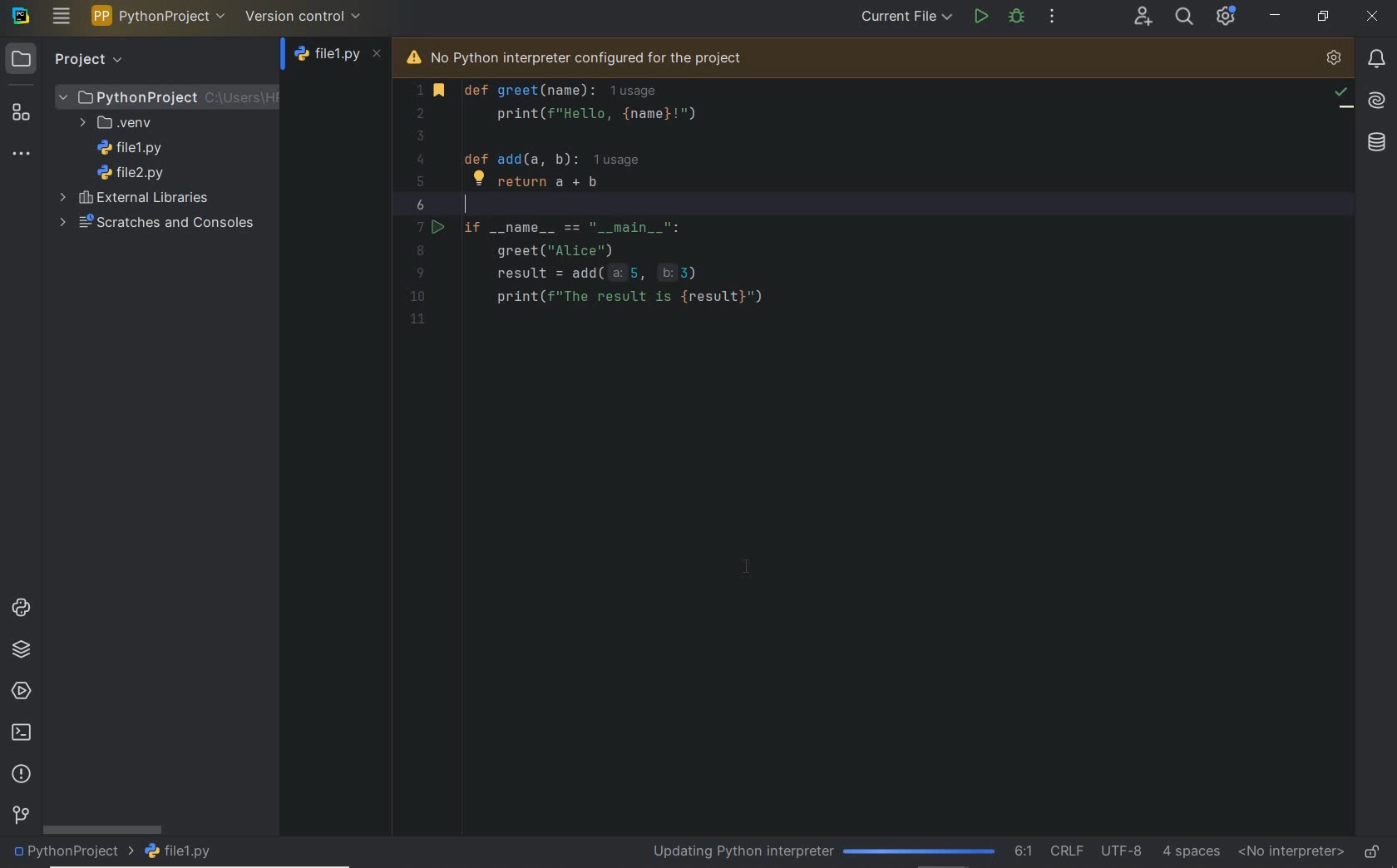  What do you see at coordinates (21, 155) in the screenshot?
I see `more tool windows` at bounding box center [21, 155].